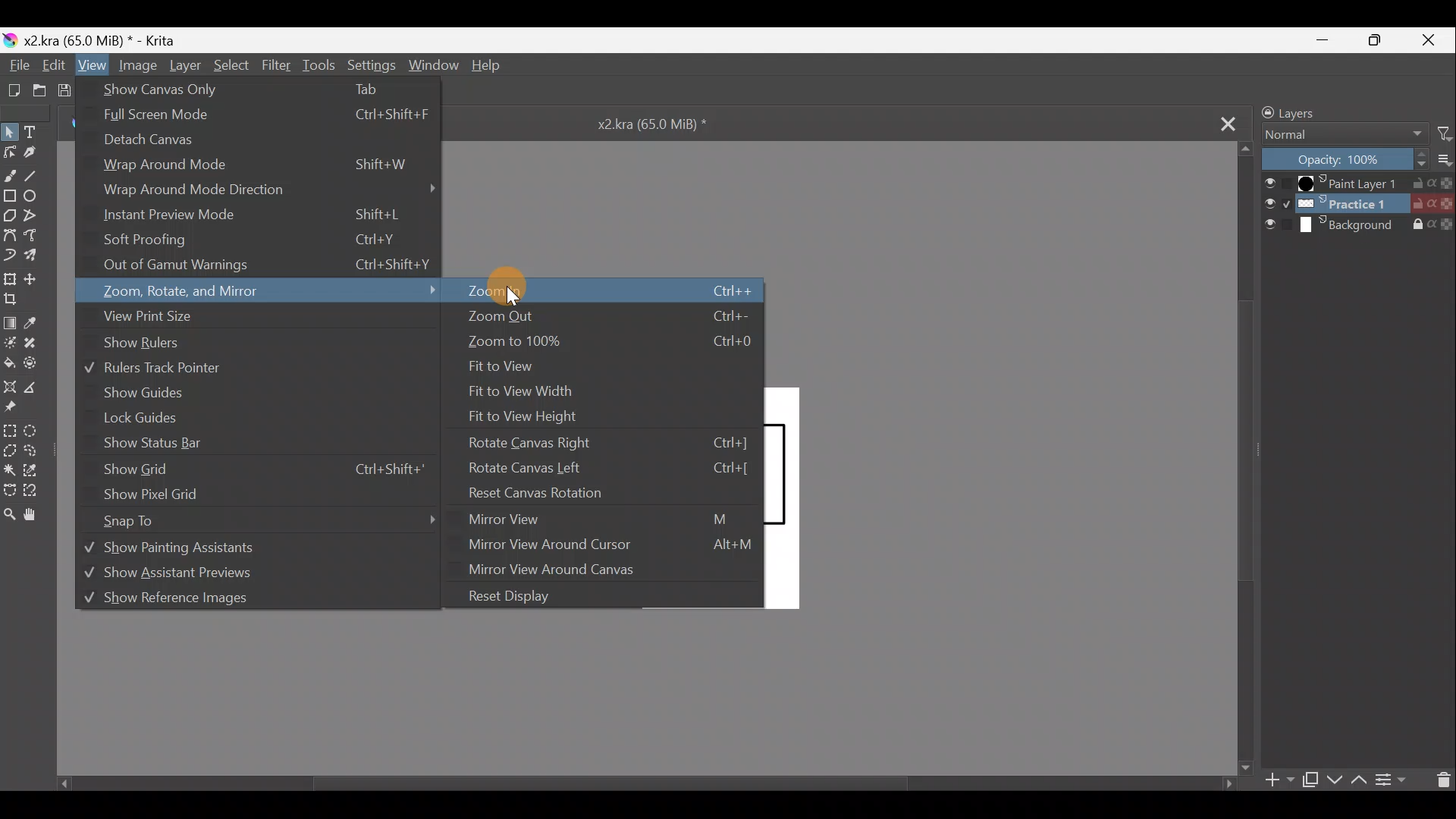  I want to click on Rotate canvas left  Ctrl+[, so click(614, 469).